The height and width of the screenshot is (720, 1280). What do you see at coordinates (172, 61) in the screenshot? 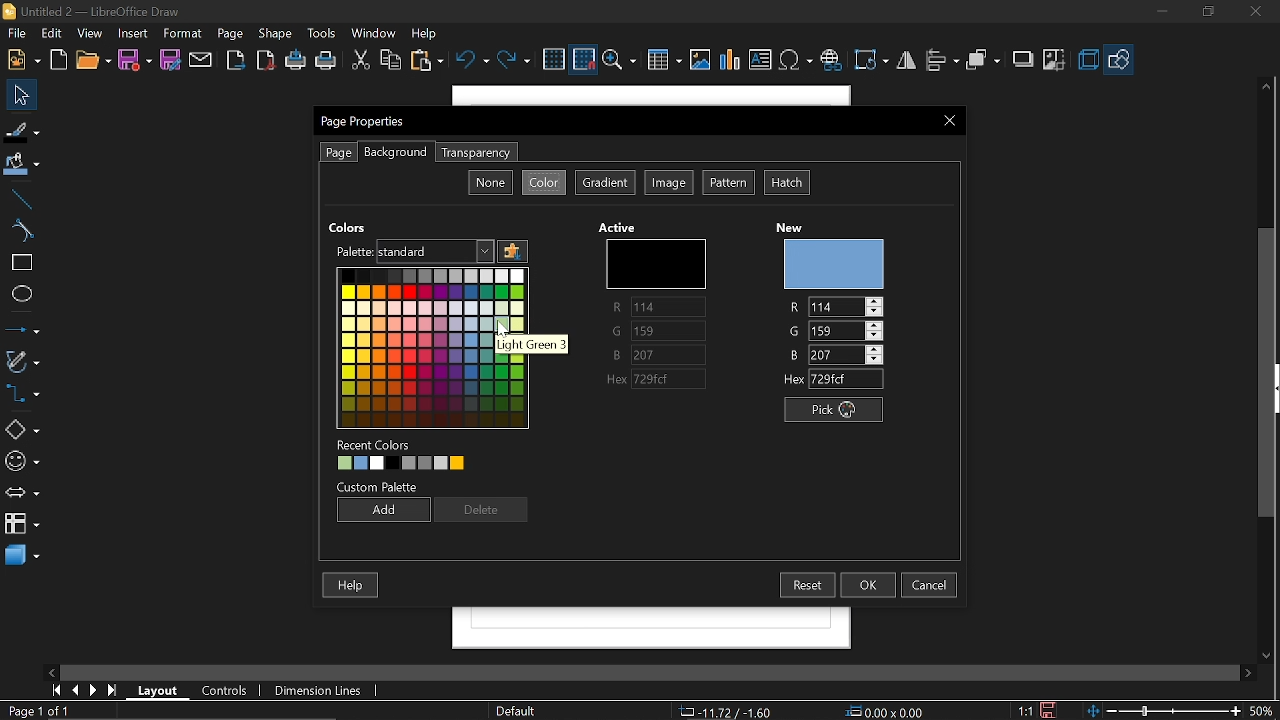
I see `Save as` at bounding box center [172, 61].